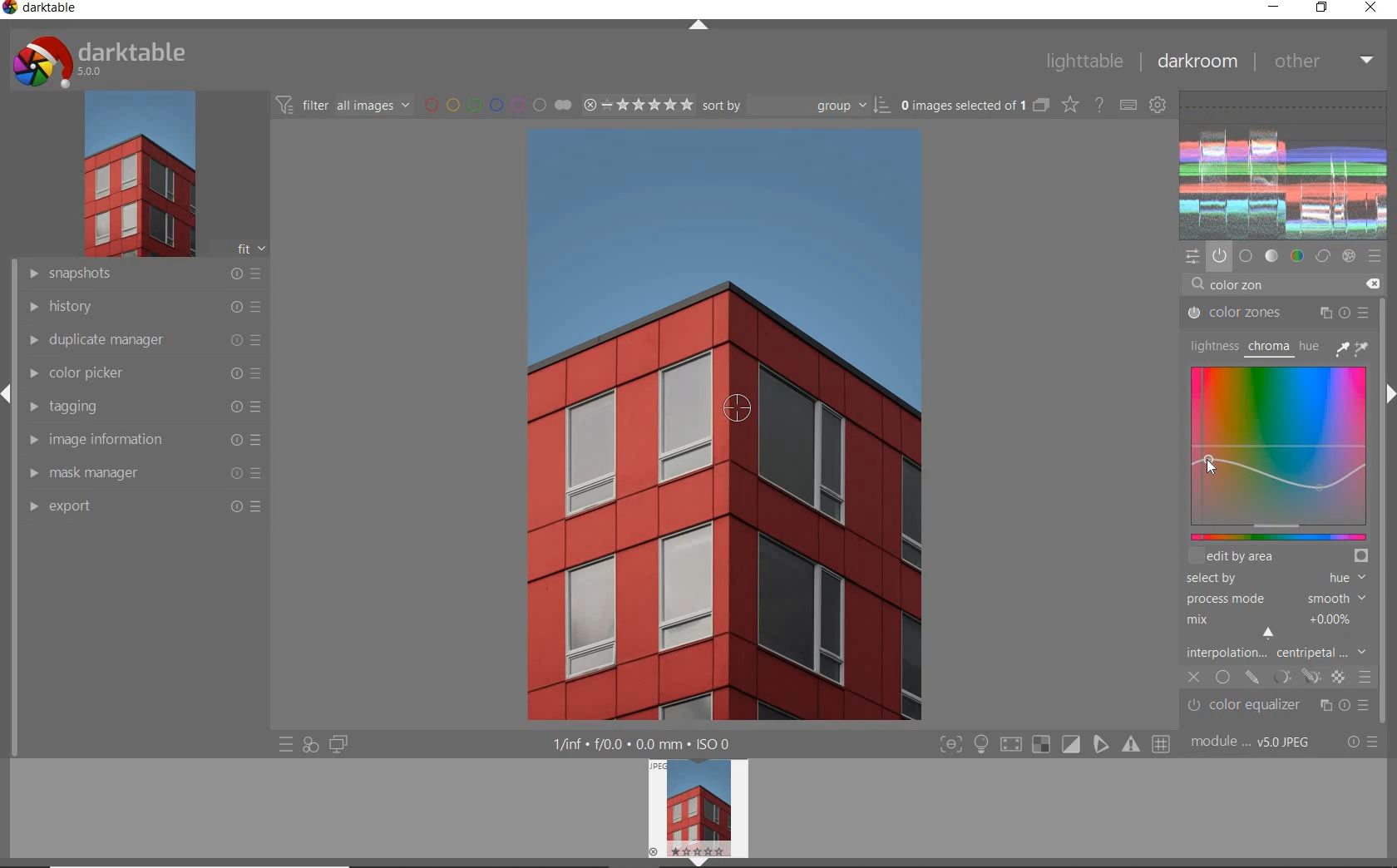  I want to click on guides overlay, so click(1100, 745).